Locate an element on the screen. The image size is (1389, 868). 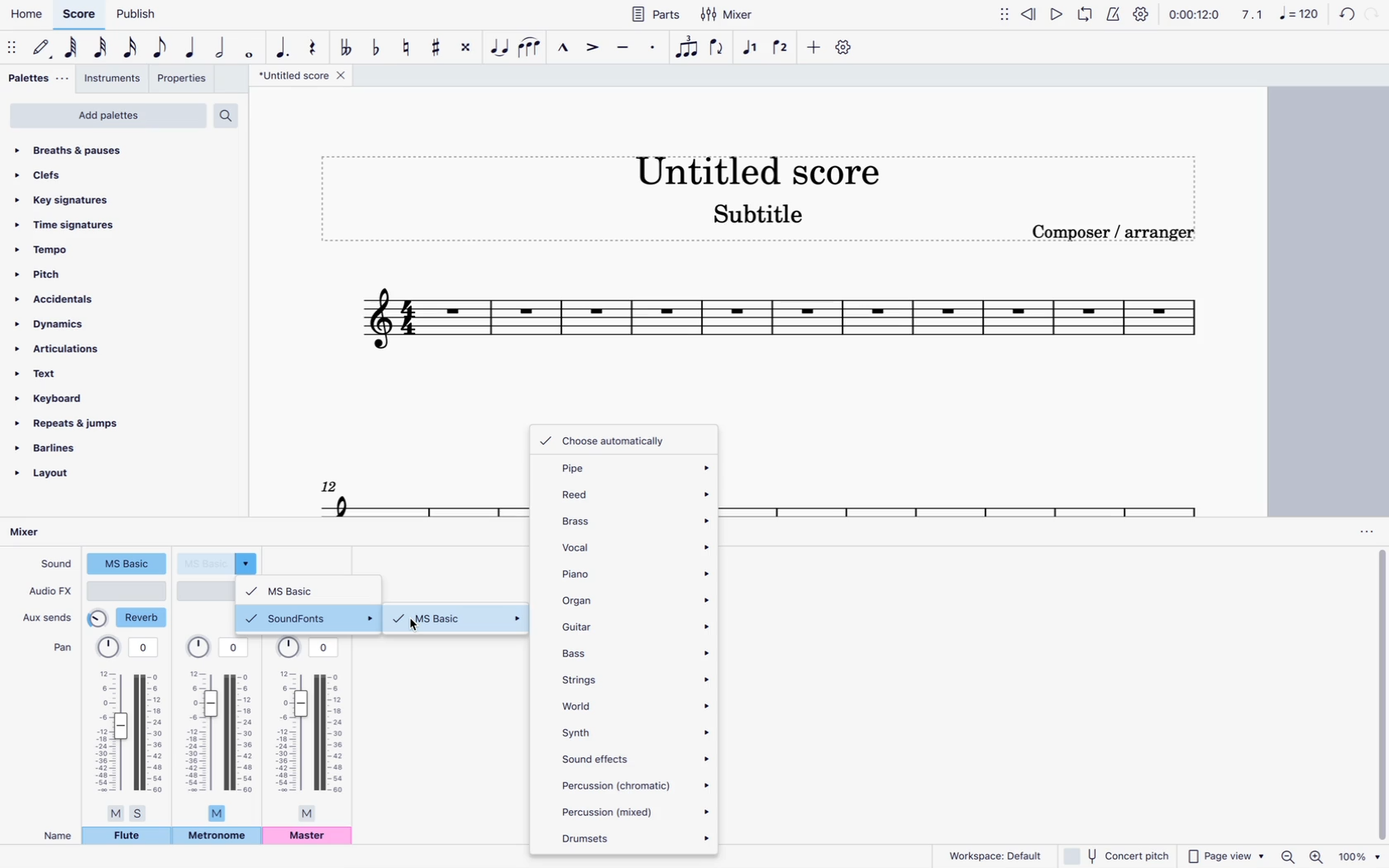
voice 2 is located at coordinates (782, 50).